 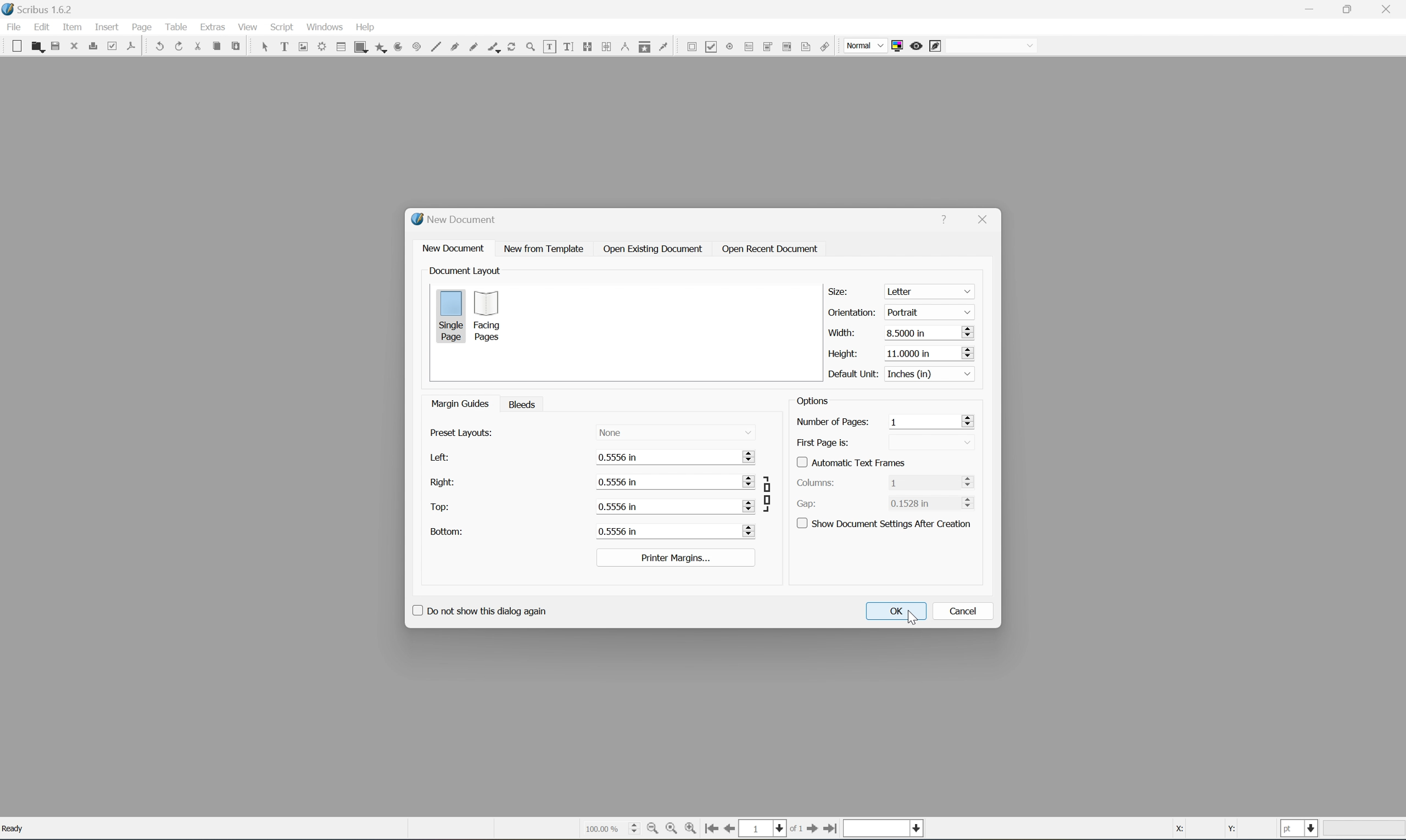 I want to click on right, so click(x=445, y=481).